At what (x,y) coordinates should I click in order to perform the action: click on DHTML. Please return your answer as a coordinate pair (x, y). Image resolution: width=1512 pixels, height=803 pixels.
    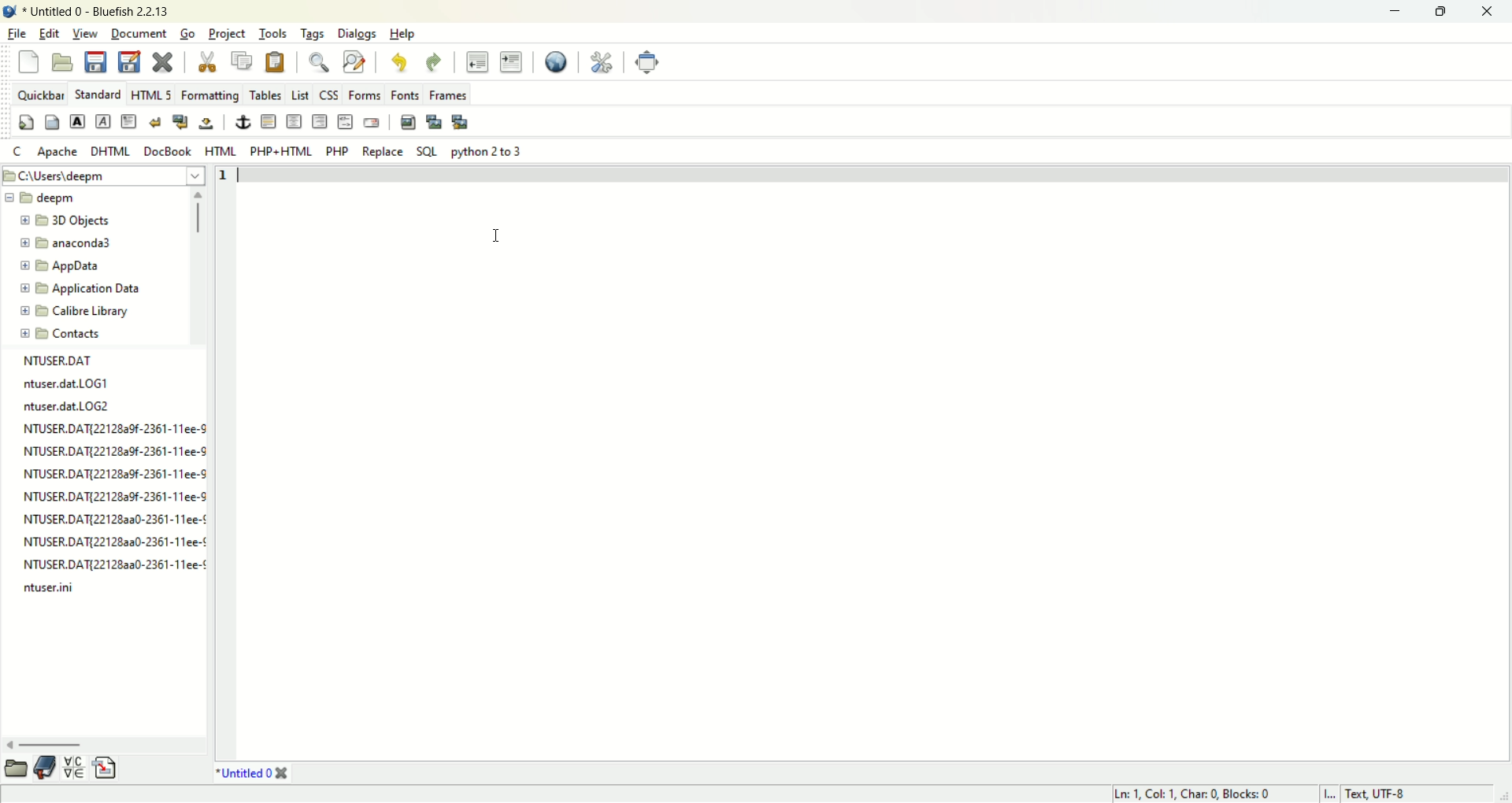
    Looking at the image, I should click on (110, 151).